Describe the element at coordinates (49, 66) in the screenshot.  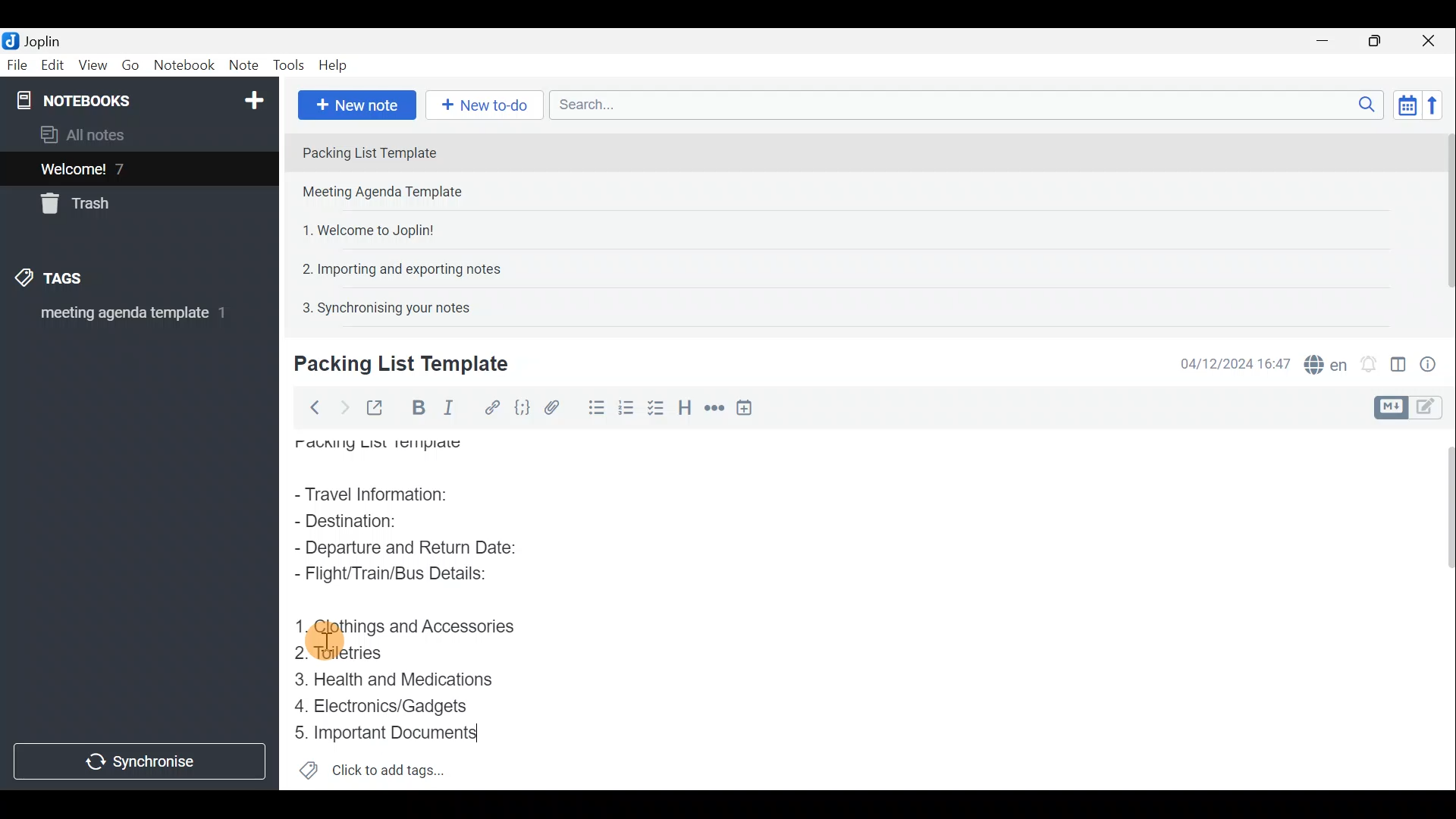
I see `Edit` at that location.